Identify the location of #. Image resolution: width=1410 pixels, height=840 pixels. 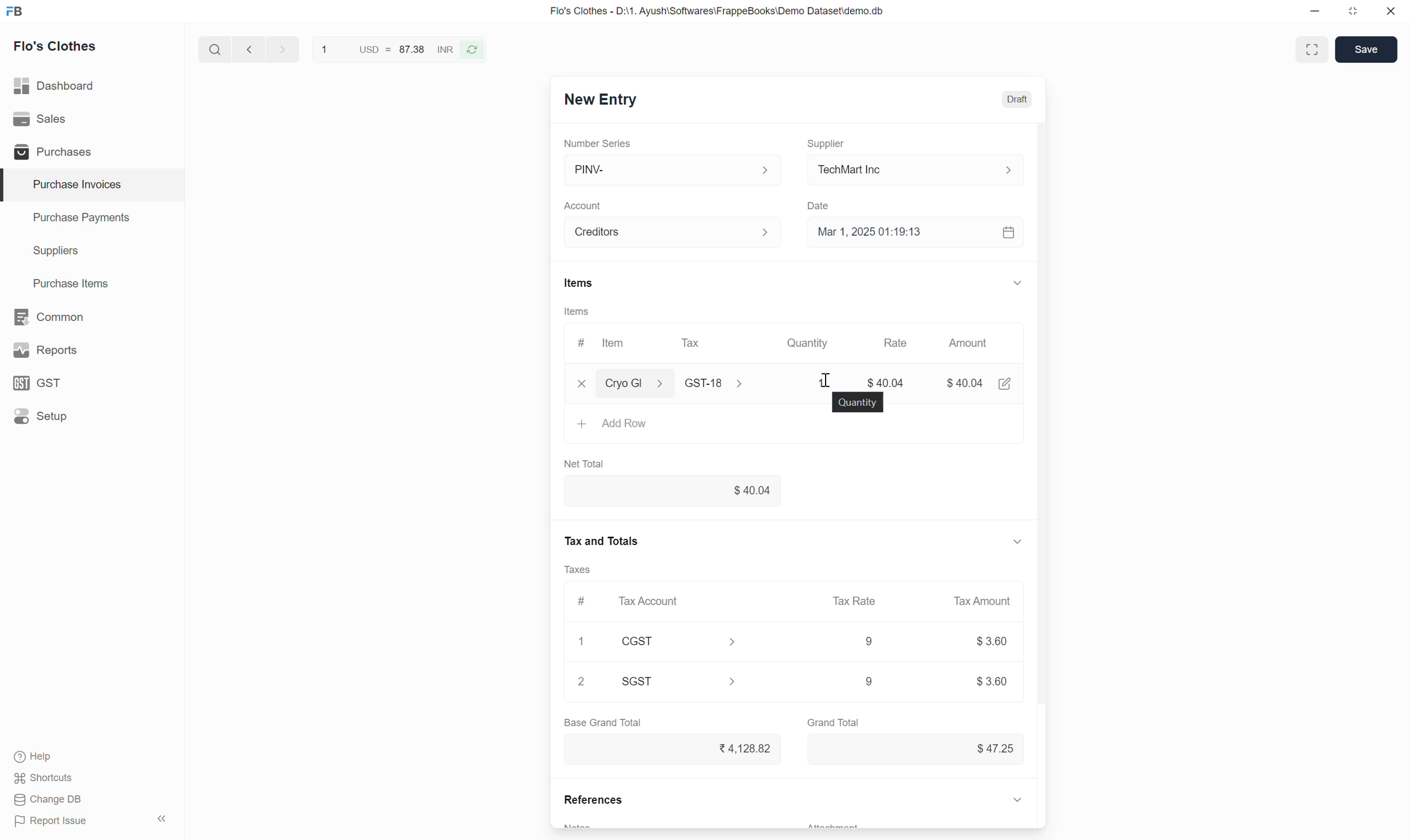
(580, 340).